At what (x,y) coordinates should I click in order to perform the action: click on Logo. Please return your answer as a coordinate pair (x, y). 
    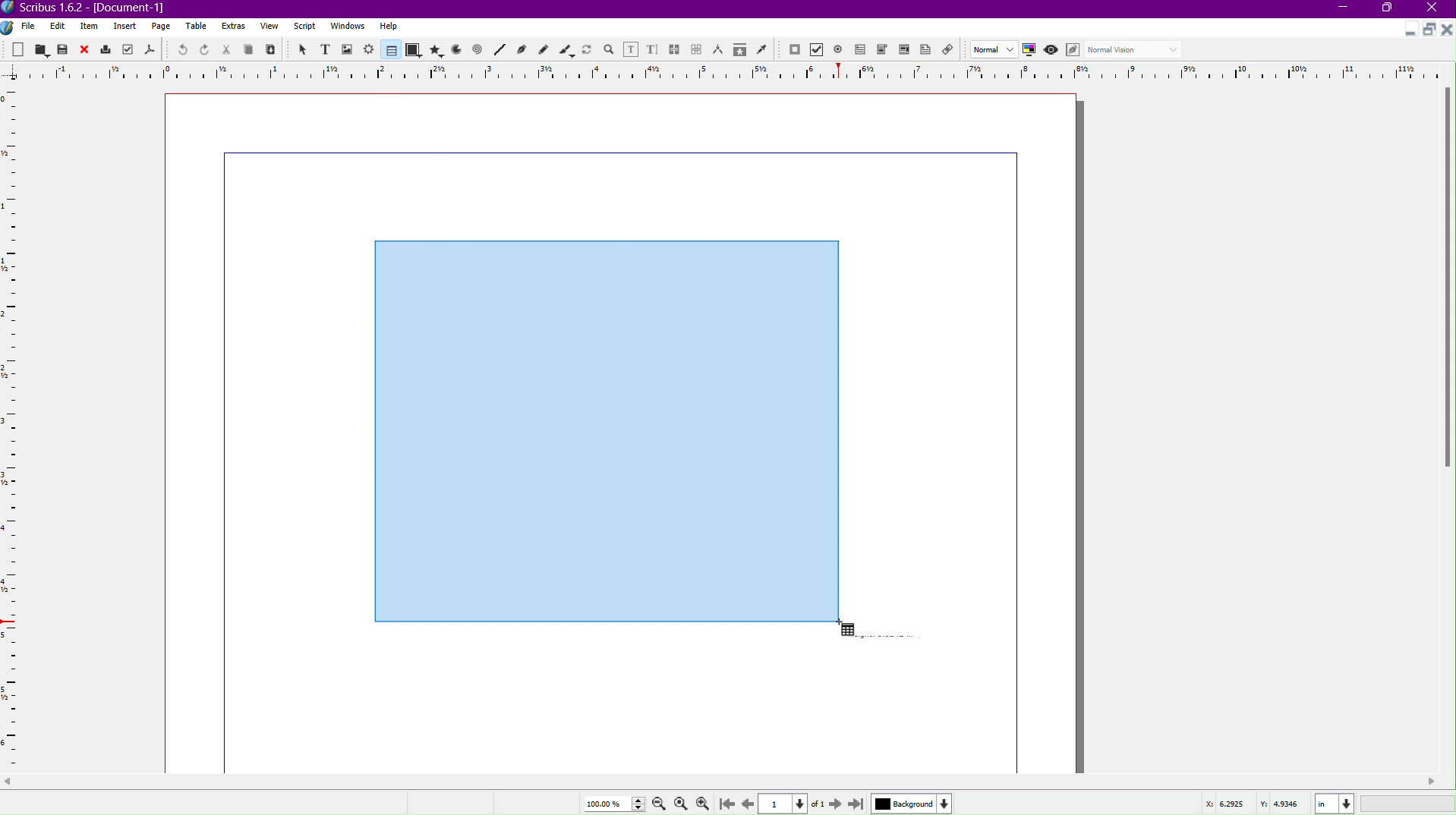
    Looking at the image, I should click on (9, 27).